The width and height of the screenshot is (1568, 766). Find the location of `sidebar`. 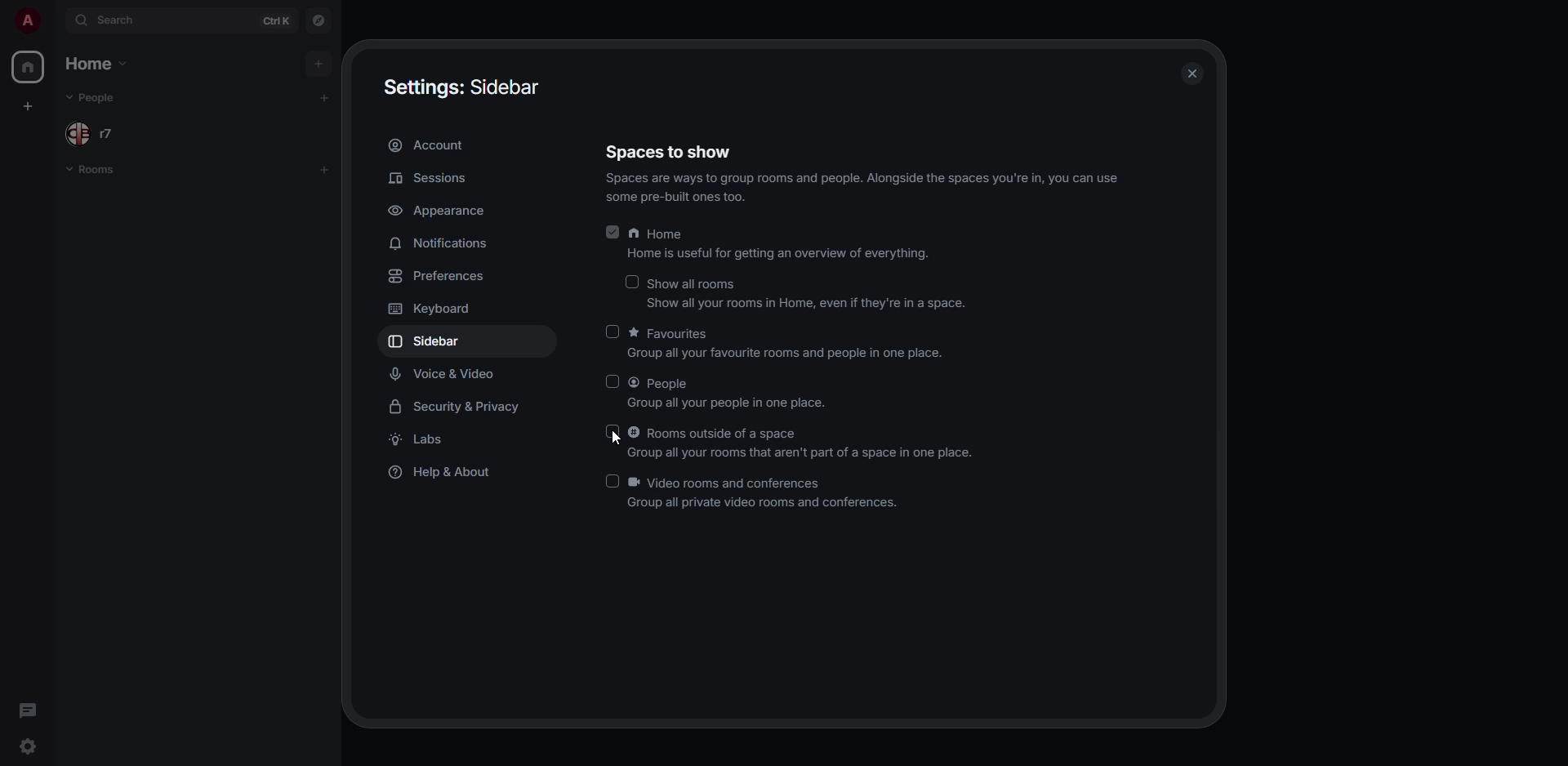

sidebar is located at coordinates (438, 341).